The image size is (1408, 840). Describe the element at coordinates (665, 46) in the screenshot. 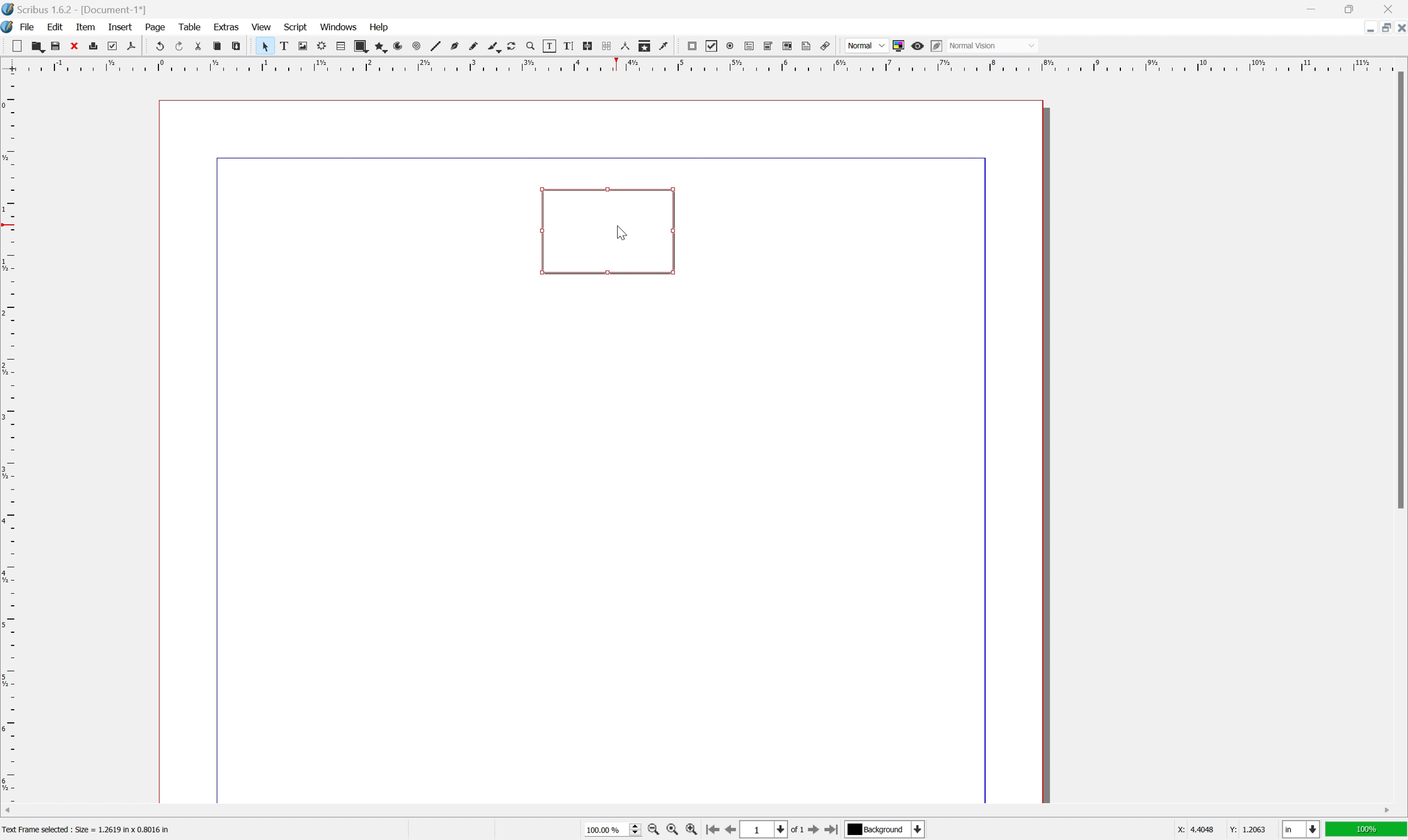

I see `eye dropper` at that location.